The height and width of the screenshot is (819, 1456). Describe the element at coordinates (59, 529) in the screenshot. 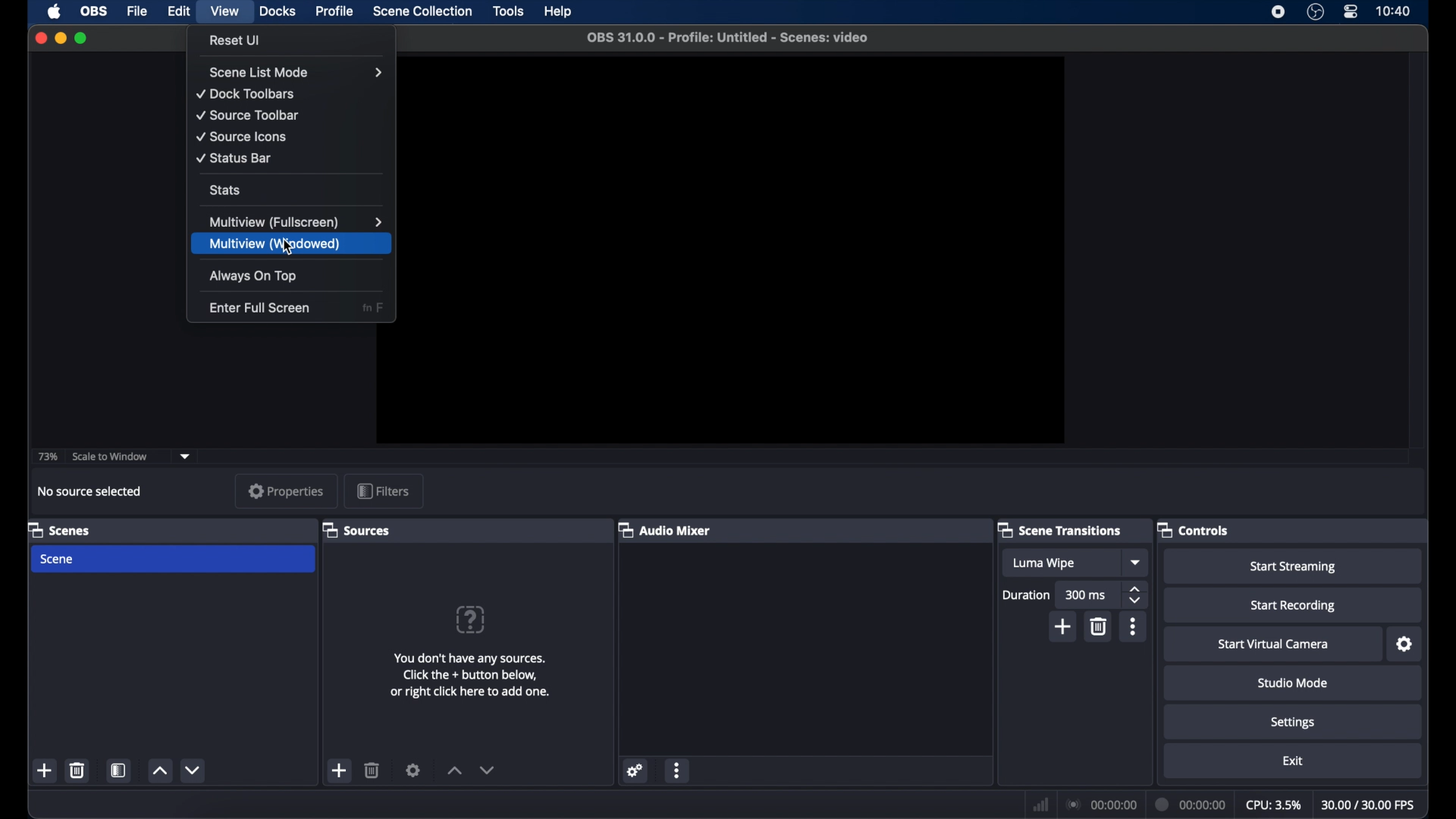

I see `scenes` at that location.